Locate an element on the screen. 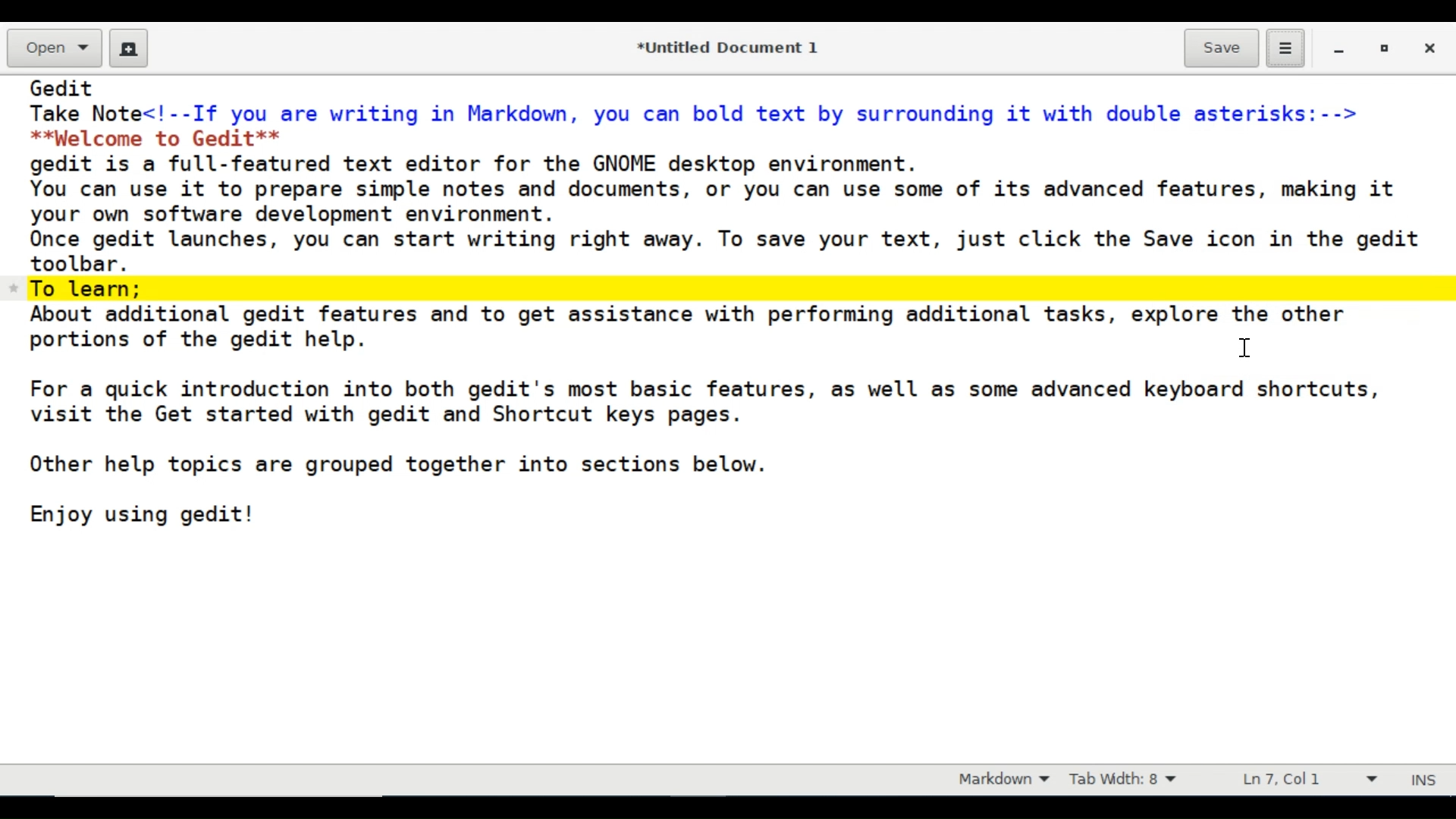 This screenshot has width=1456, height=819. Tab Width is located at coordinates (1127, 781).